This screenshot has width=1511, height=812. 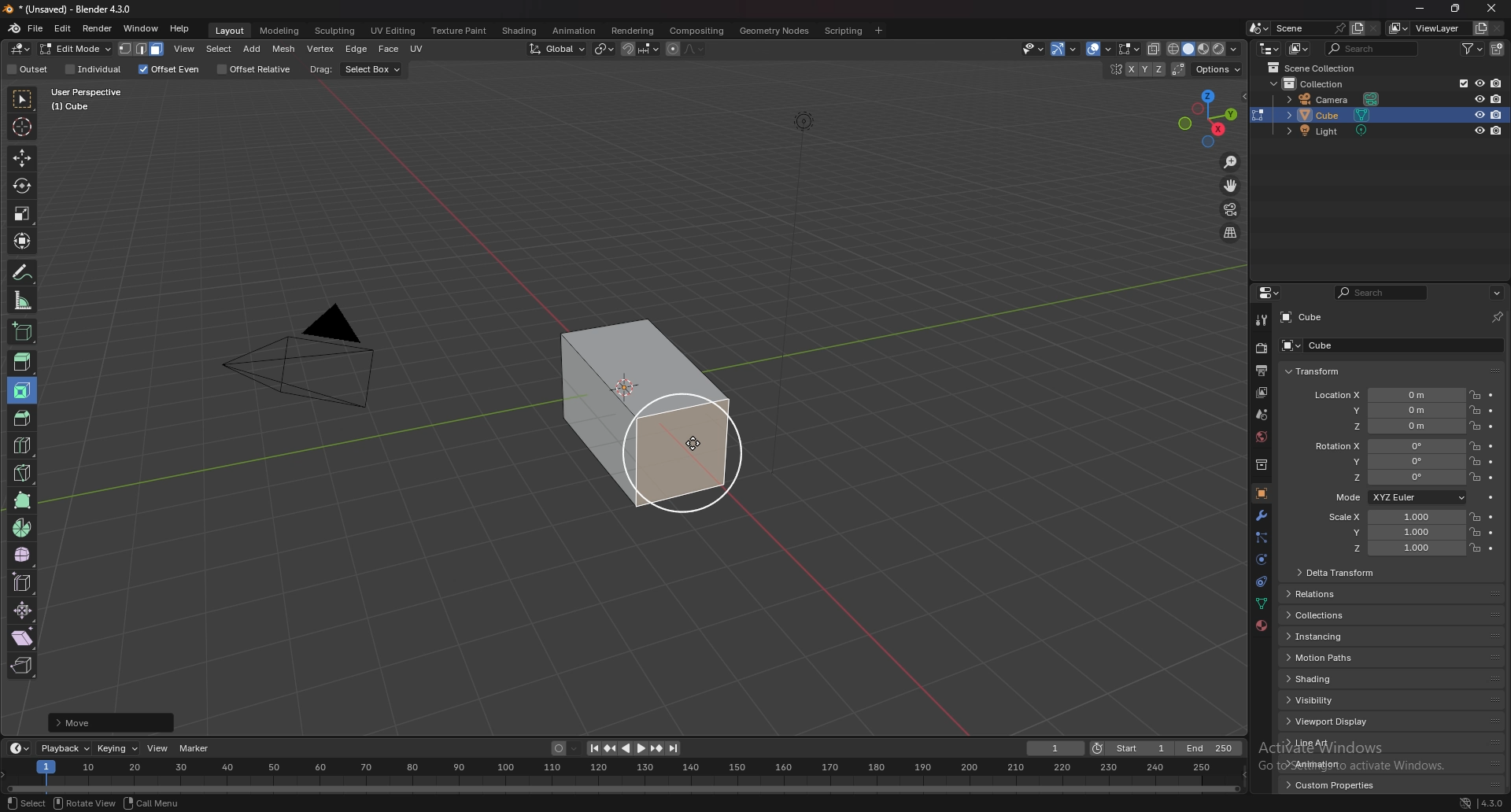 What do you see at coordinates (1063, 49) in the screenshot?
I see `show gizmo` at bounding box center [1063, 49].